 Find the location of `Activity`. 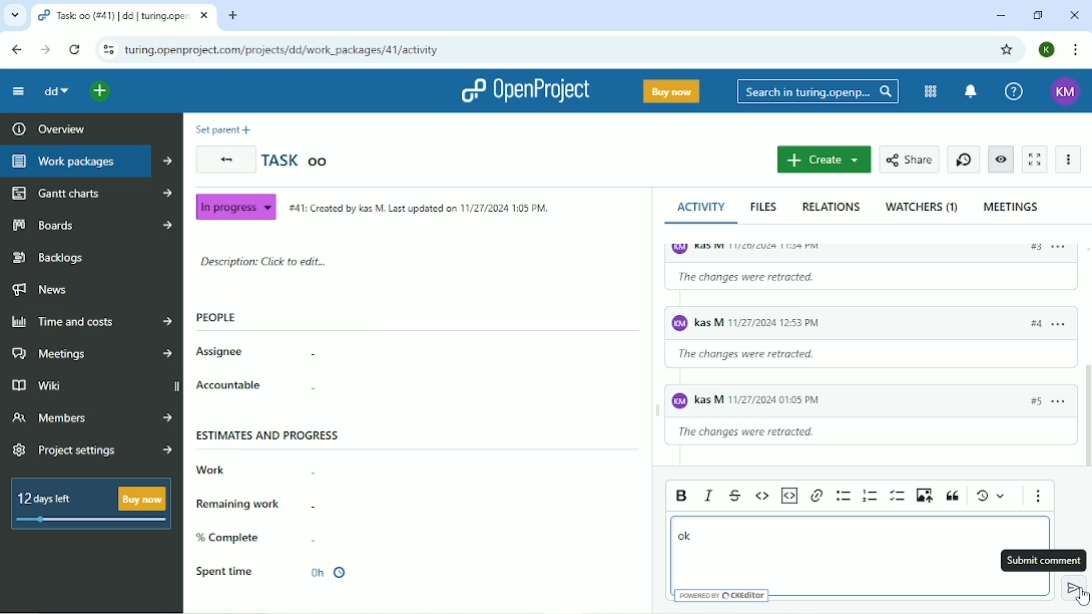

Activity is located at coordinates (705, 207).